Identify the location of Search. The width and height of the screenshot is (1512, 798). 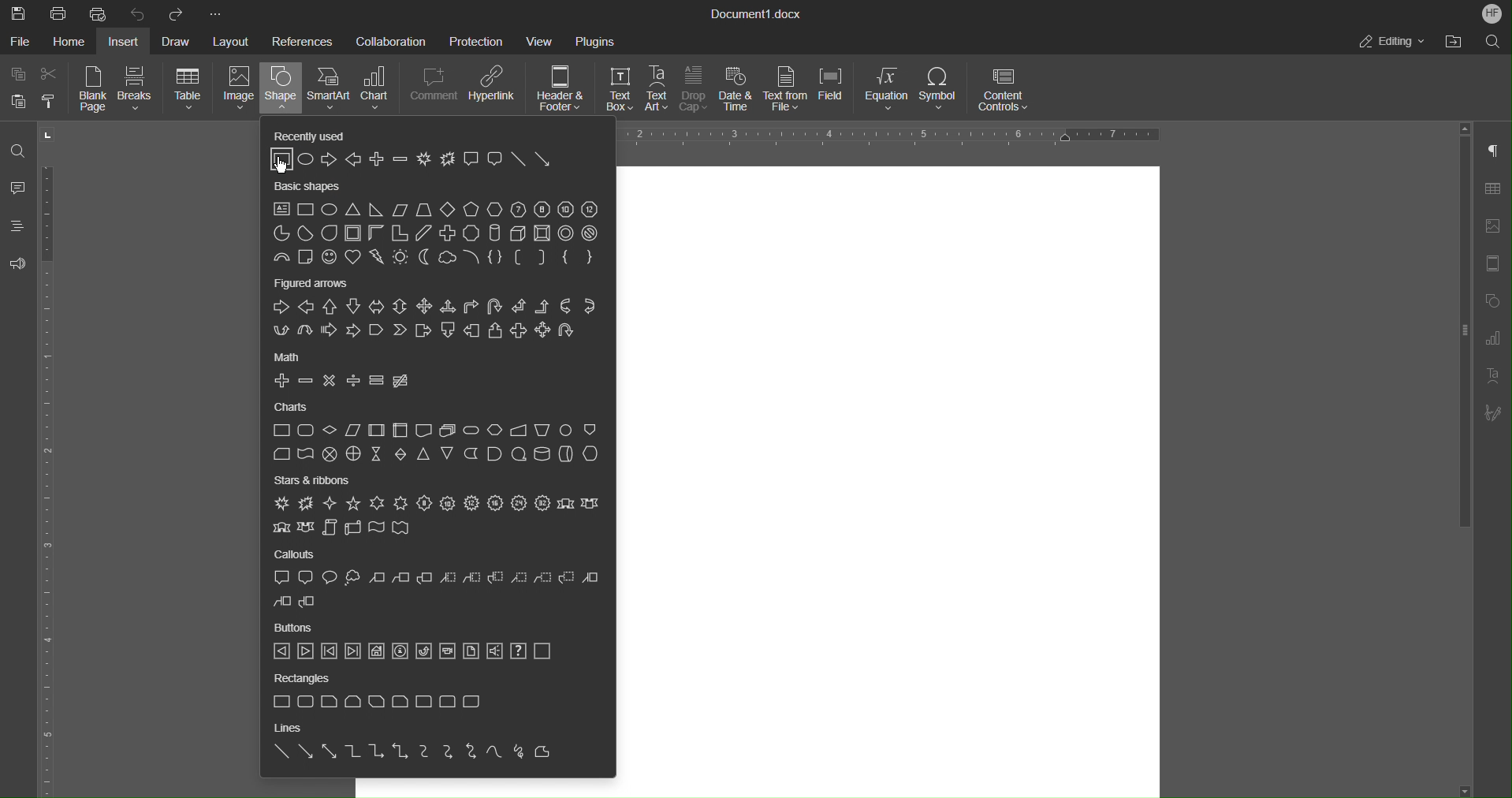
(1490, 42).